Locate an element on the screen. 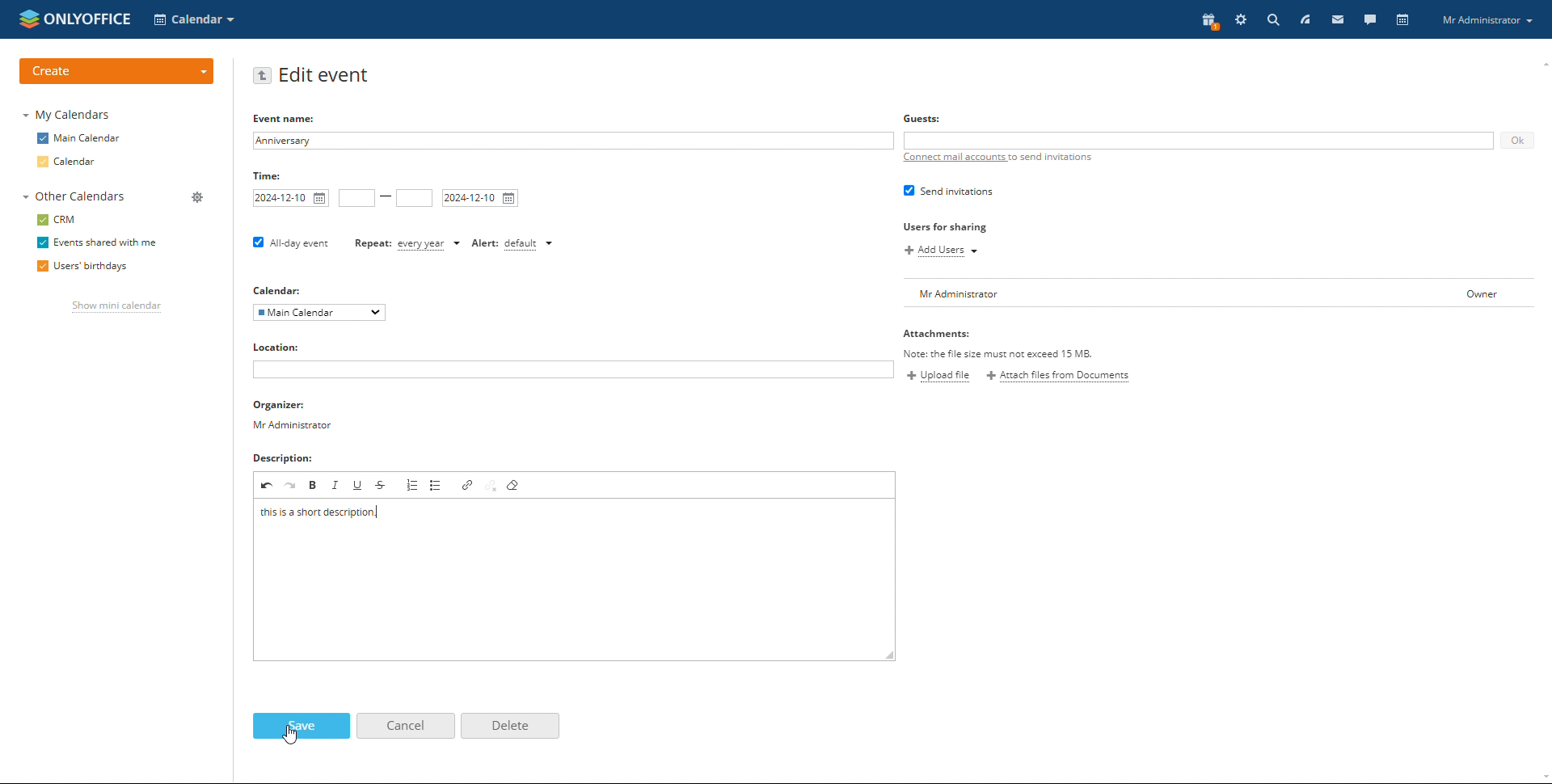  save is located at coordinates (301, 726).